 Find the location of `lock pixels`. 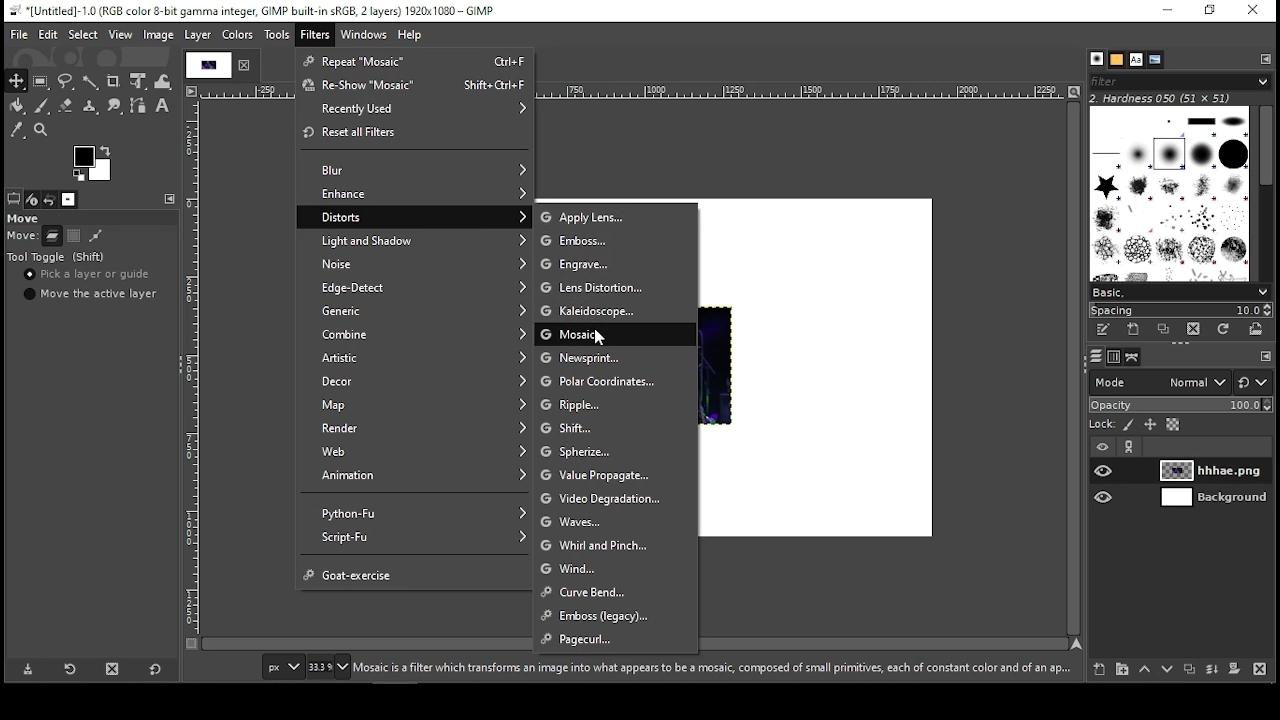

lock pixels is located at coordinates (1129, 425).